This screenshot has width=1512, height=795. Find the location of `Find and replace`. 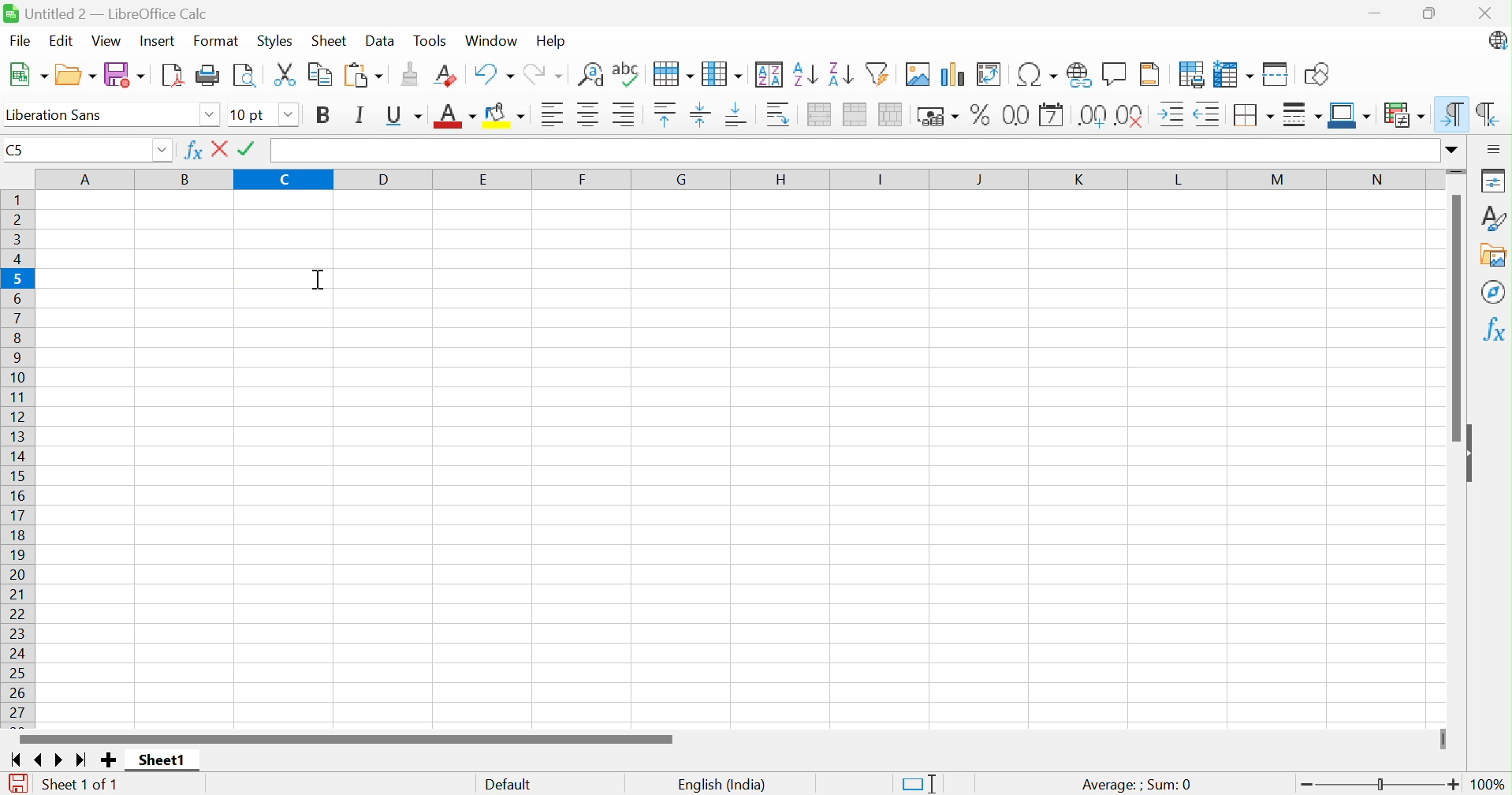

Find and replace is located at coordinates (628, 74).